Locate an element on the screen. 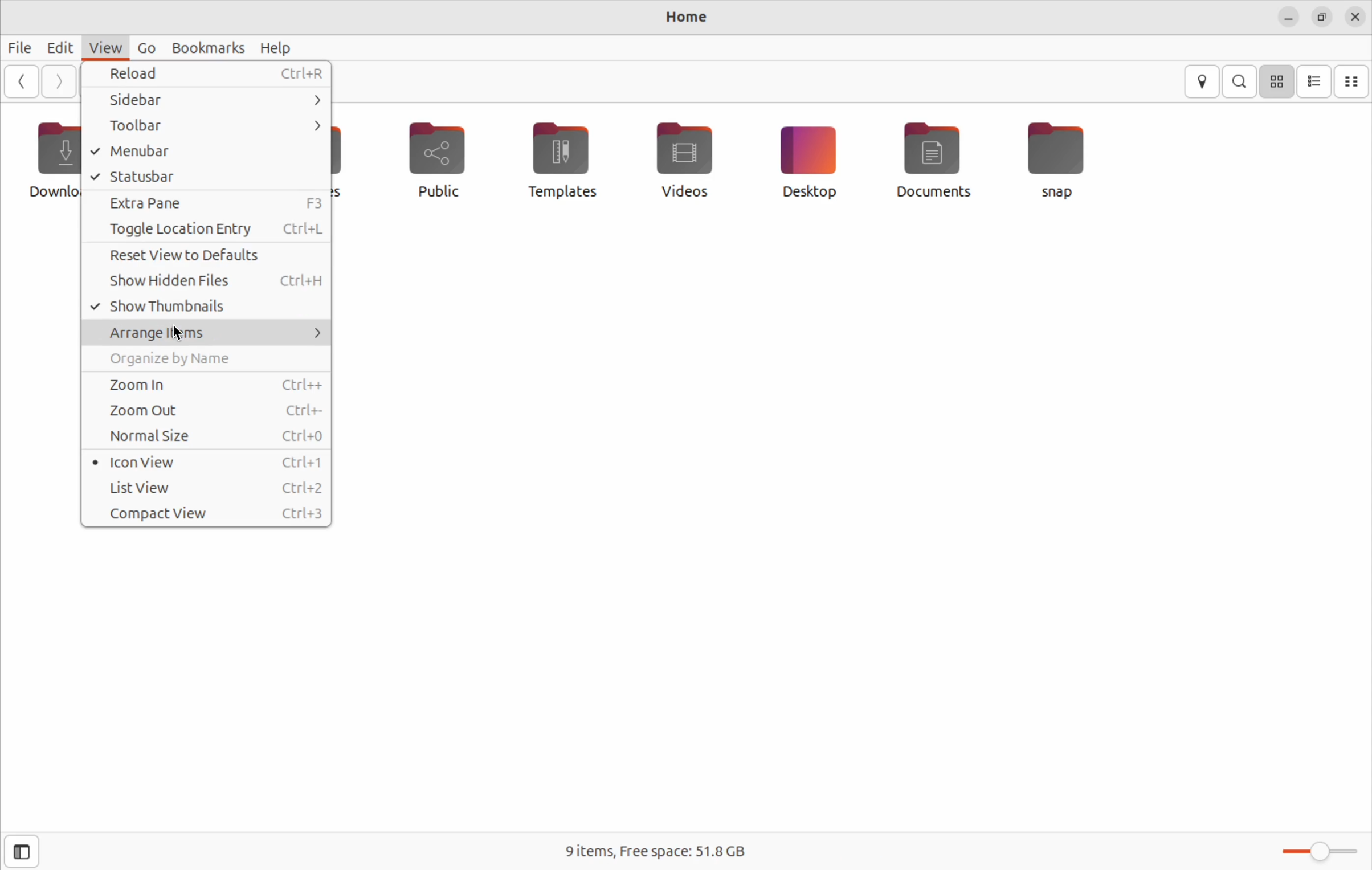 The width and height of the screenshot is (1372, 870). file is located at coordinates (17, 47).